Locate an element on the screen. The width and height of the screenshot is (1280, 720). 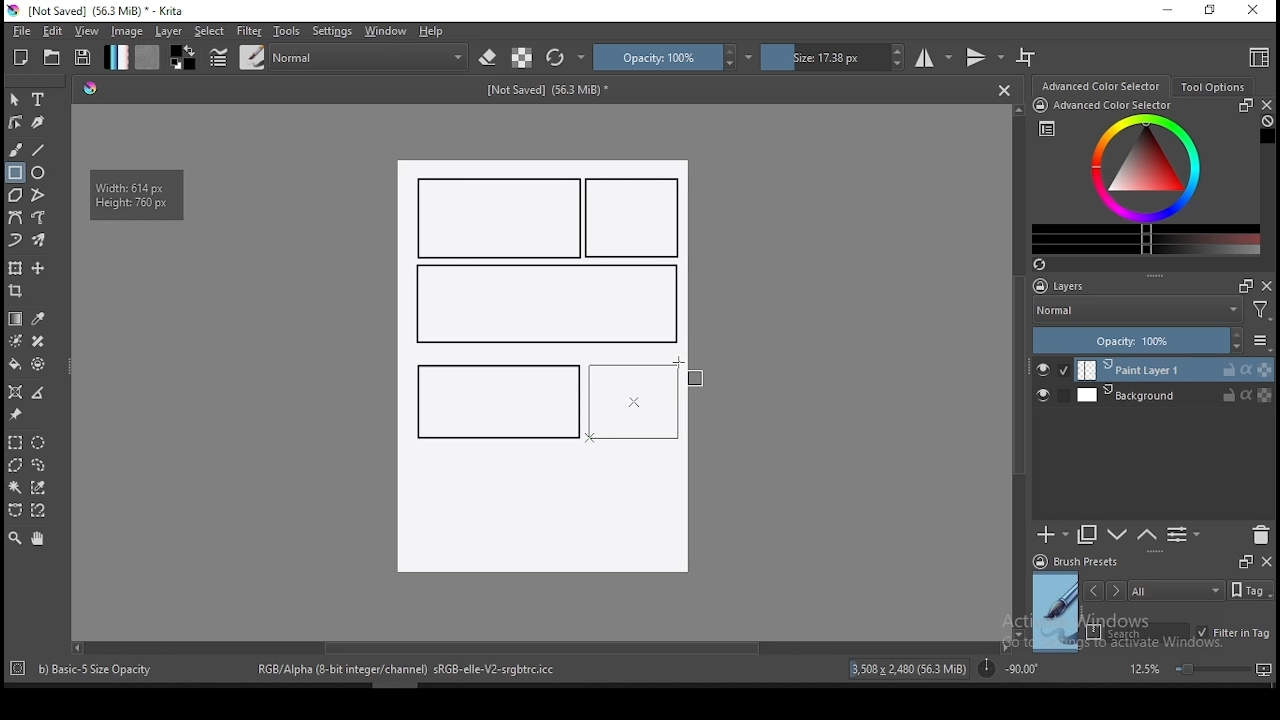
search is located at coordinates (1138, 632).